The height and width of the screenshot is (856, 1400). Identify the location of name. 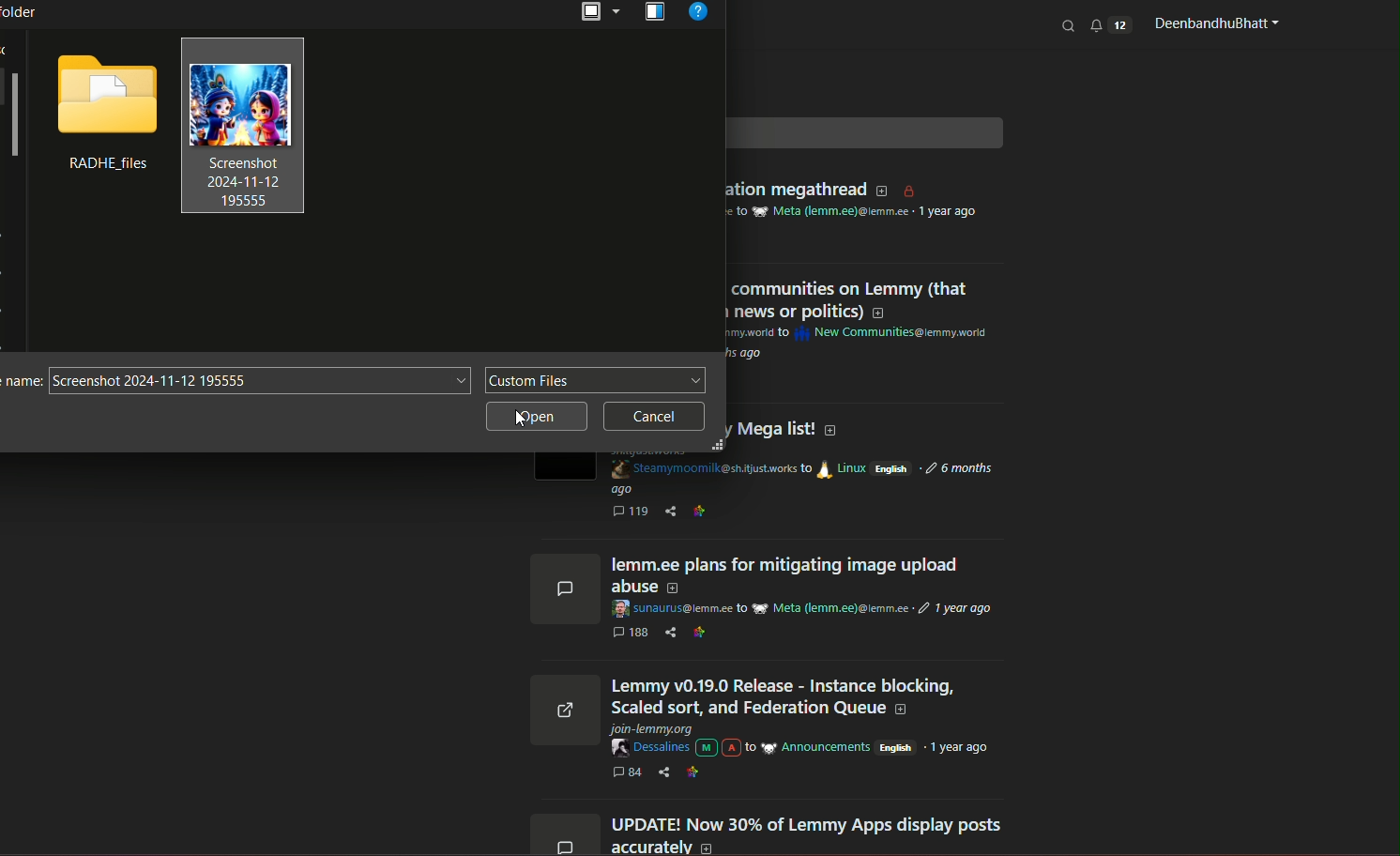
(21, 383).